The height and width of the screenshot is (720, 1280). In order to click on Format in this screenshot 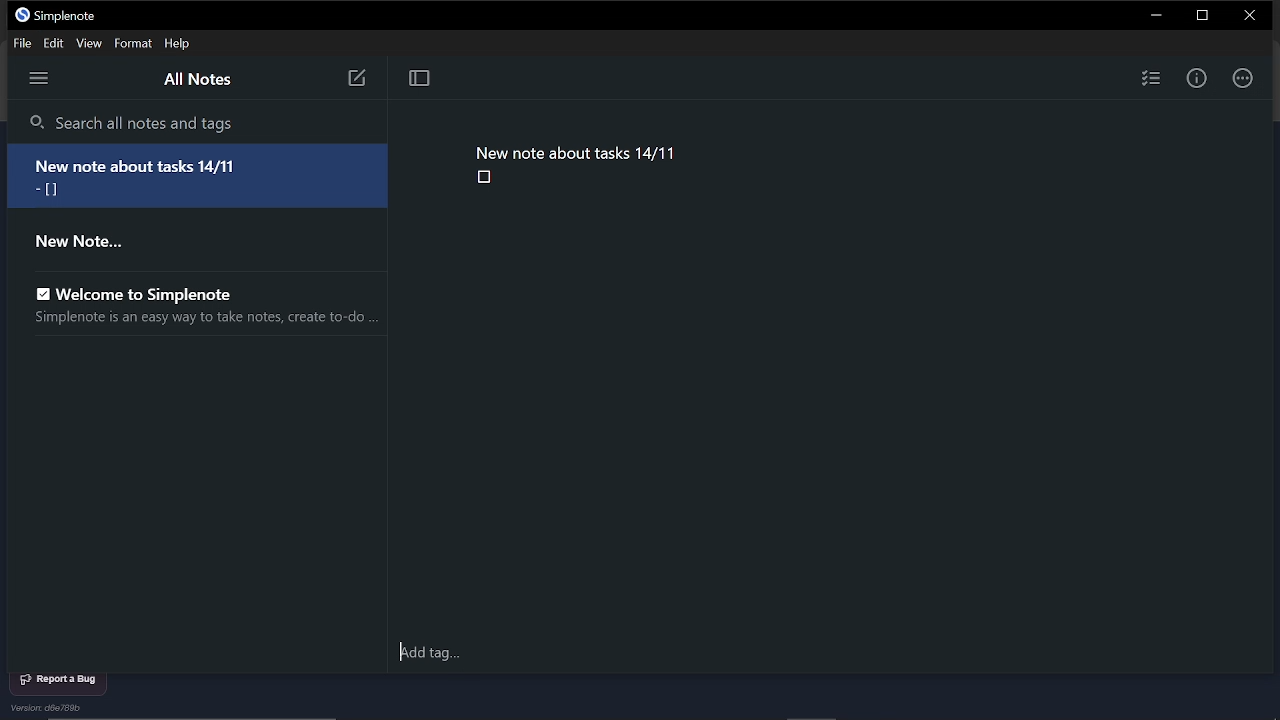, I will do `click(132, 44)`.